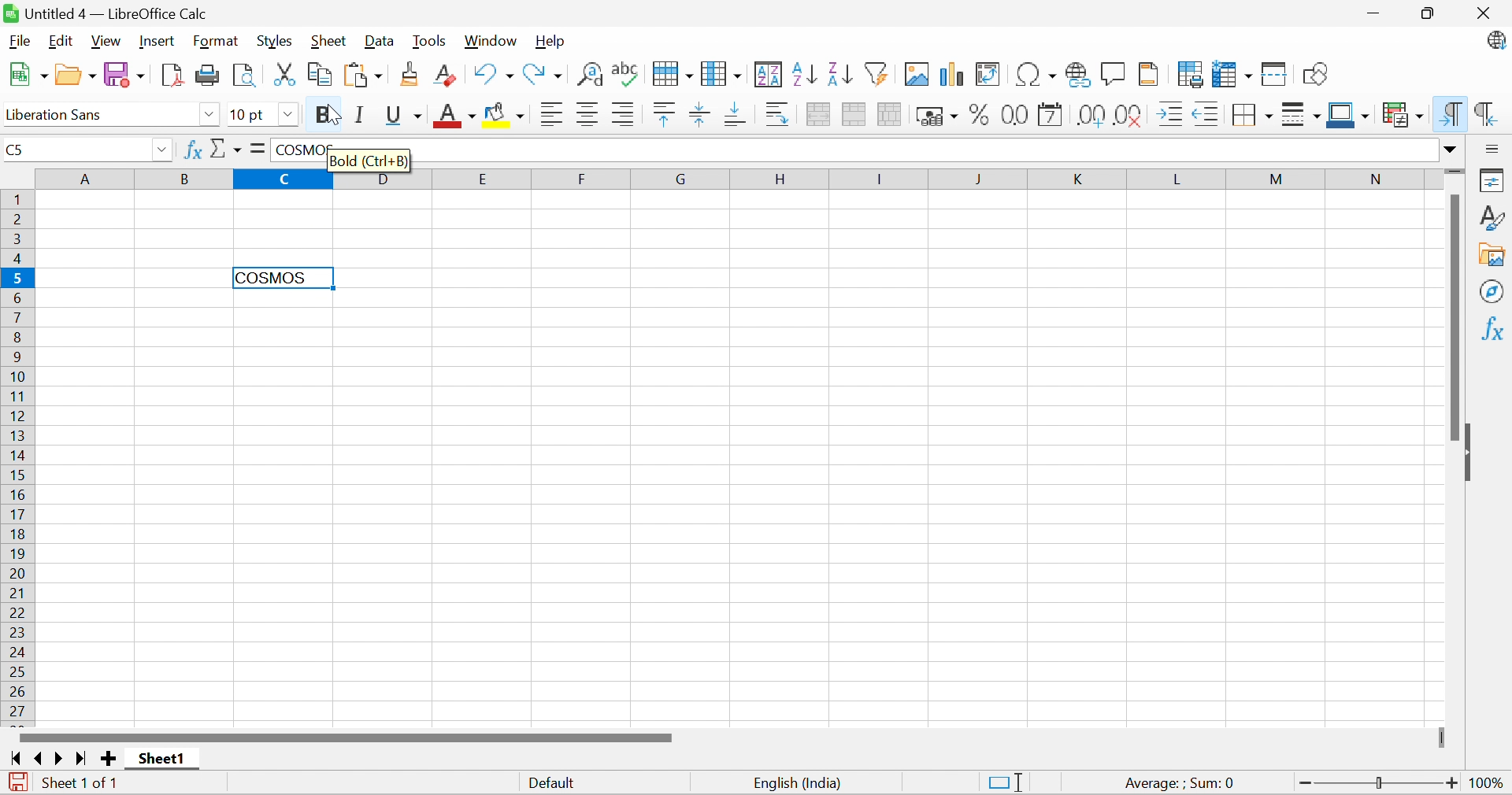 Image resolution: width=1512 pixels, height=795 pixels. I want to click on Zoom Out, so click(1303, 783).